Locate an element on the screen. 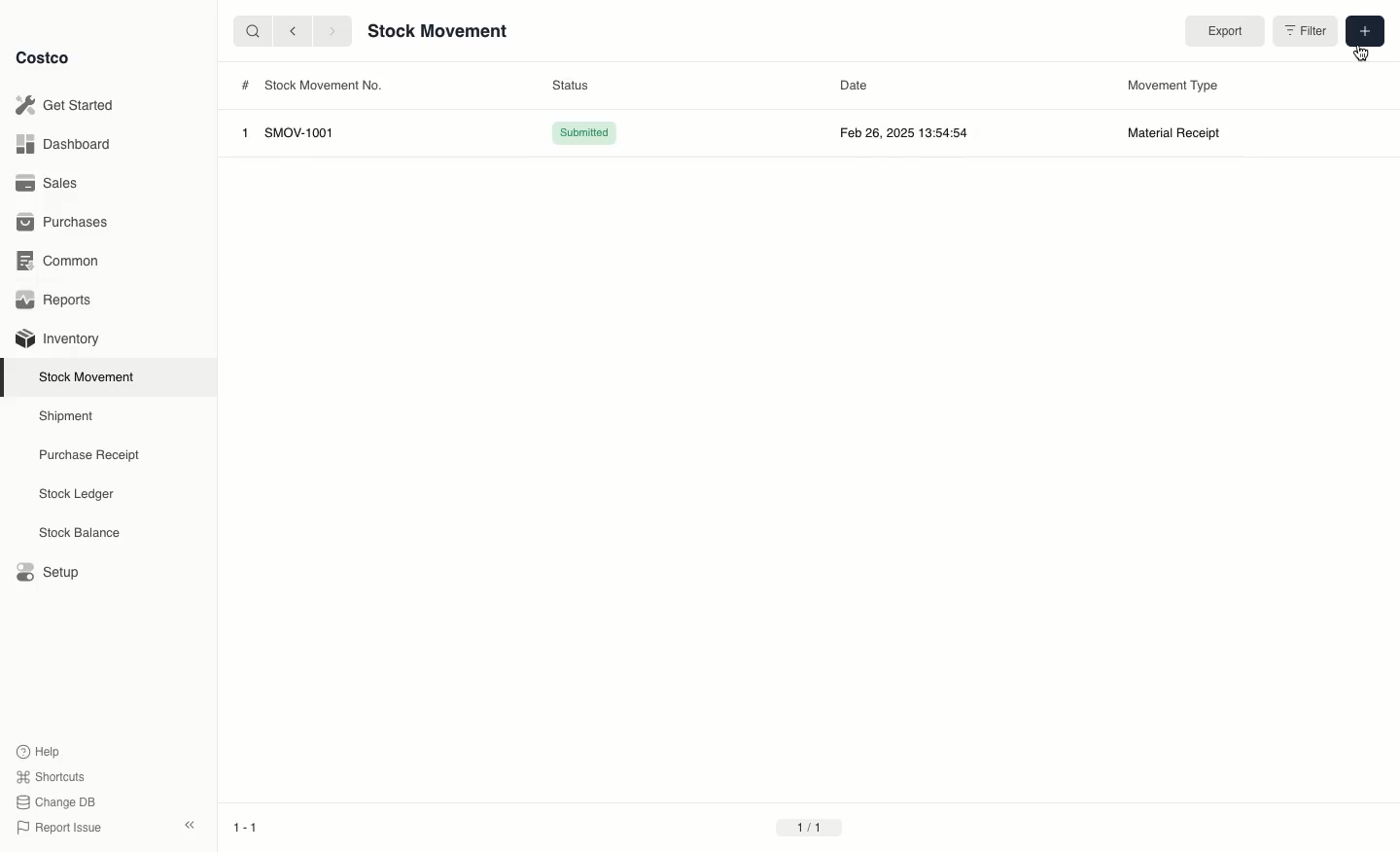 This screenshot has height=852, width=1400. Report Issue is located at coordinates (61, 828).